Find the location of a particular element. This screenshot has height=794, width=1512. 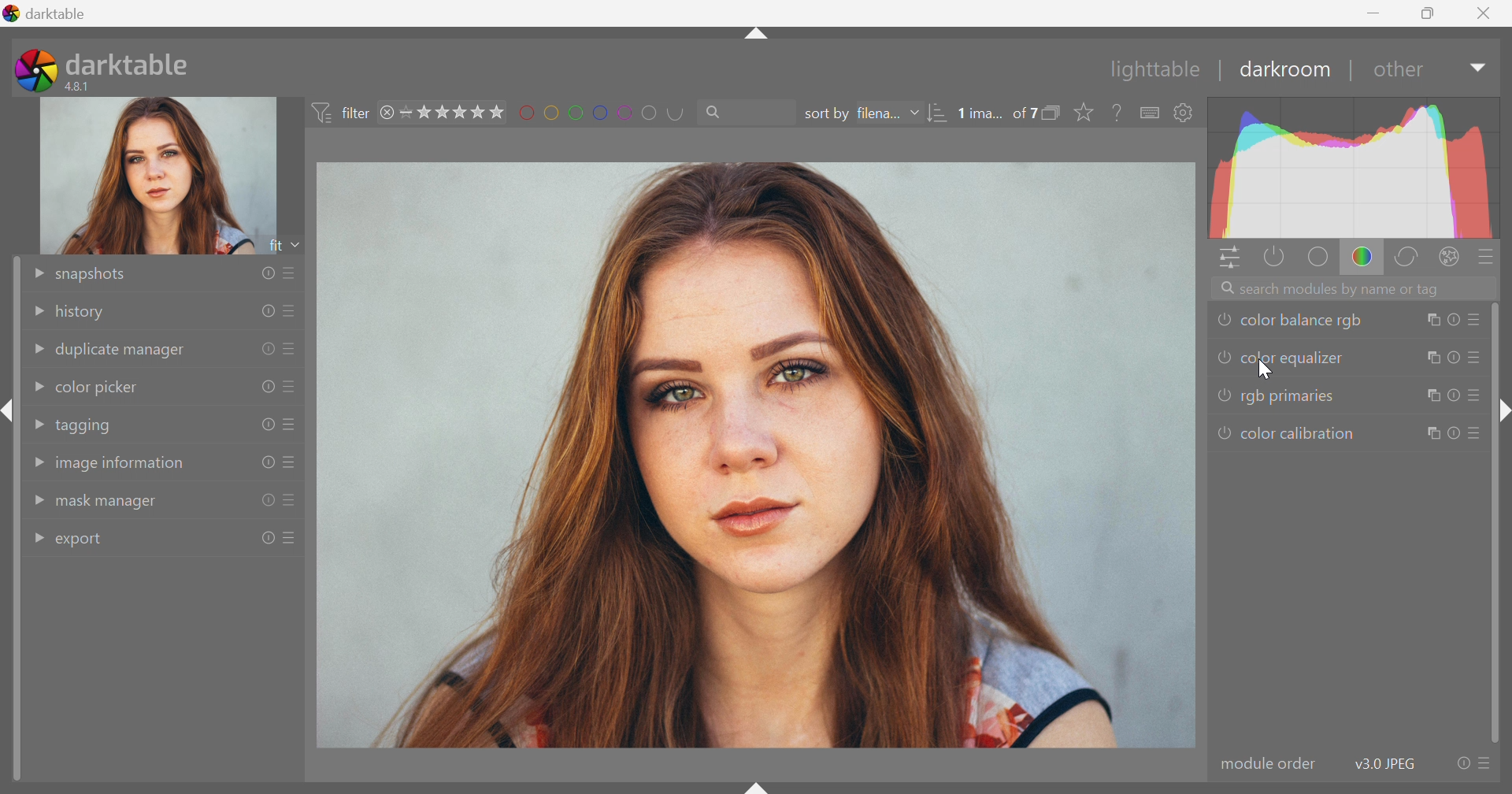

multiple instance actions is located at coordinates (1429, 319).